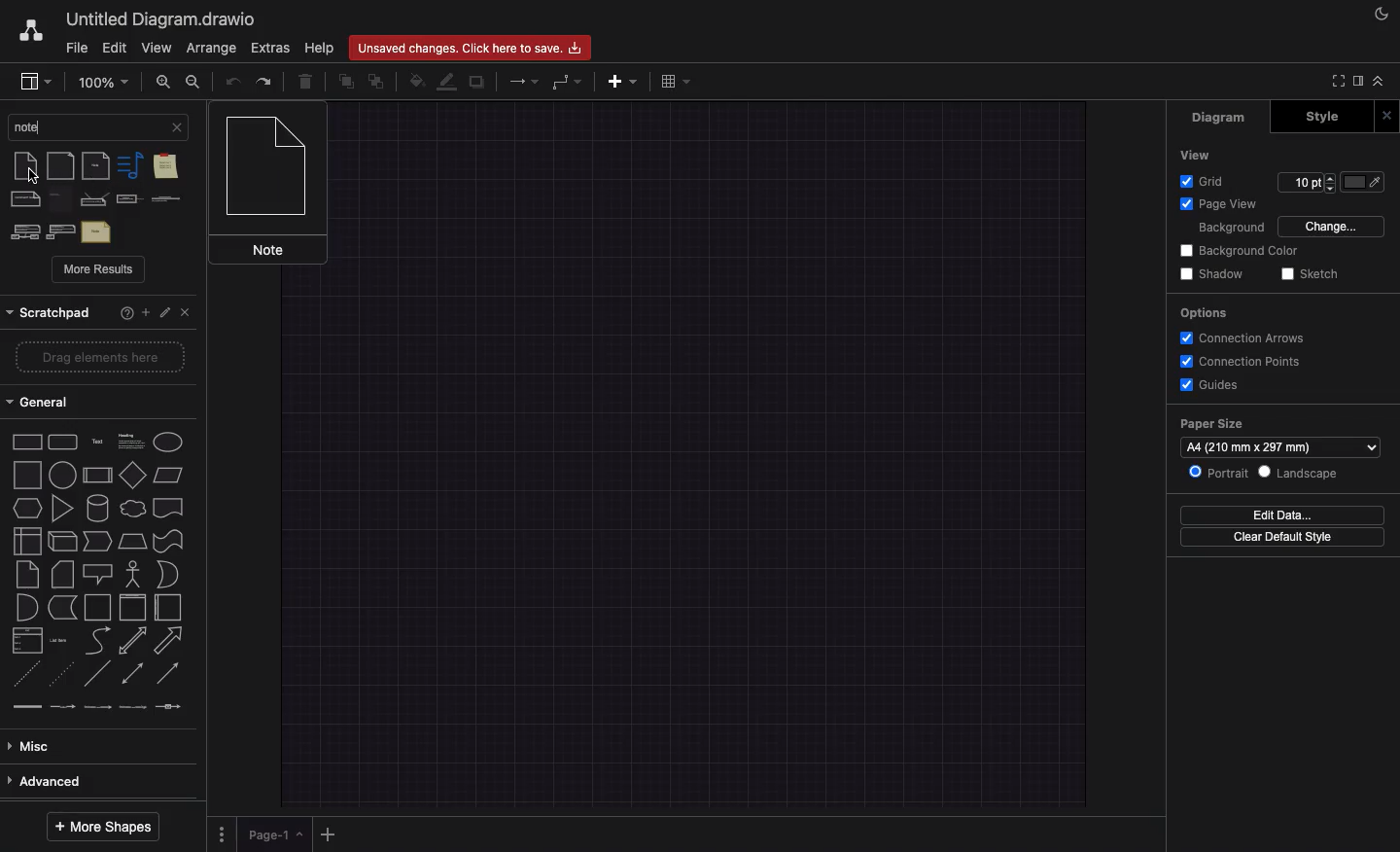 Image resolution: width=1400 pixels, height=852 pixels. What do you see at coordinates (303, 79) in the screenshot?
I see `Trash` at bounding box center [303, 79].